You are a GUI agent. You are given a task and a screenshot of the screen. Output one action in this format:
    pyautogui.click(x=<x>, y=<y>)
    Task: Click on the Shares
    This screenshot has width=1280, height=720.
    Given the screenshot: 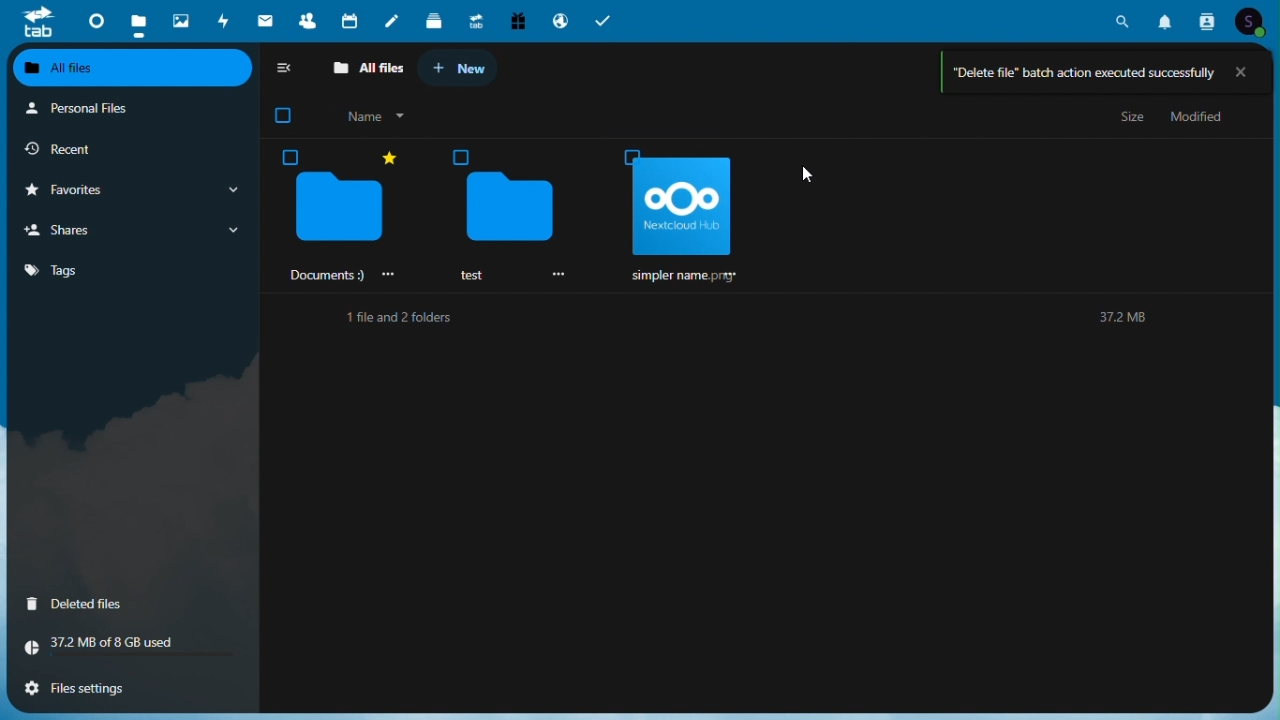 What is the action you would take?
    pyautogui.click(x=130, y=231)
    